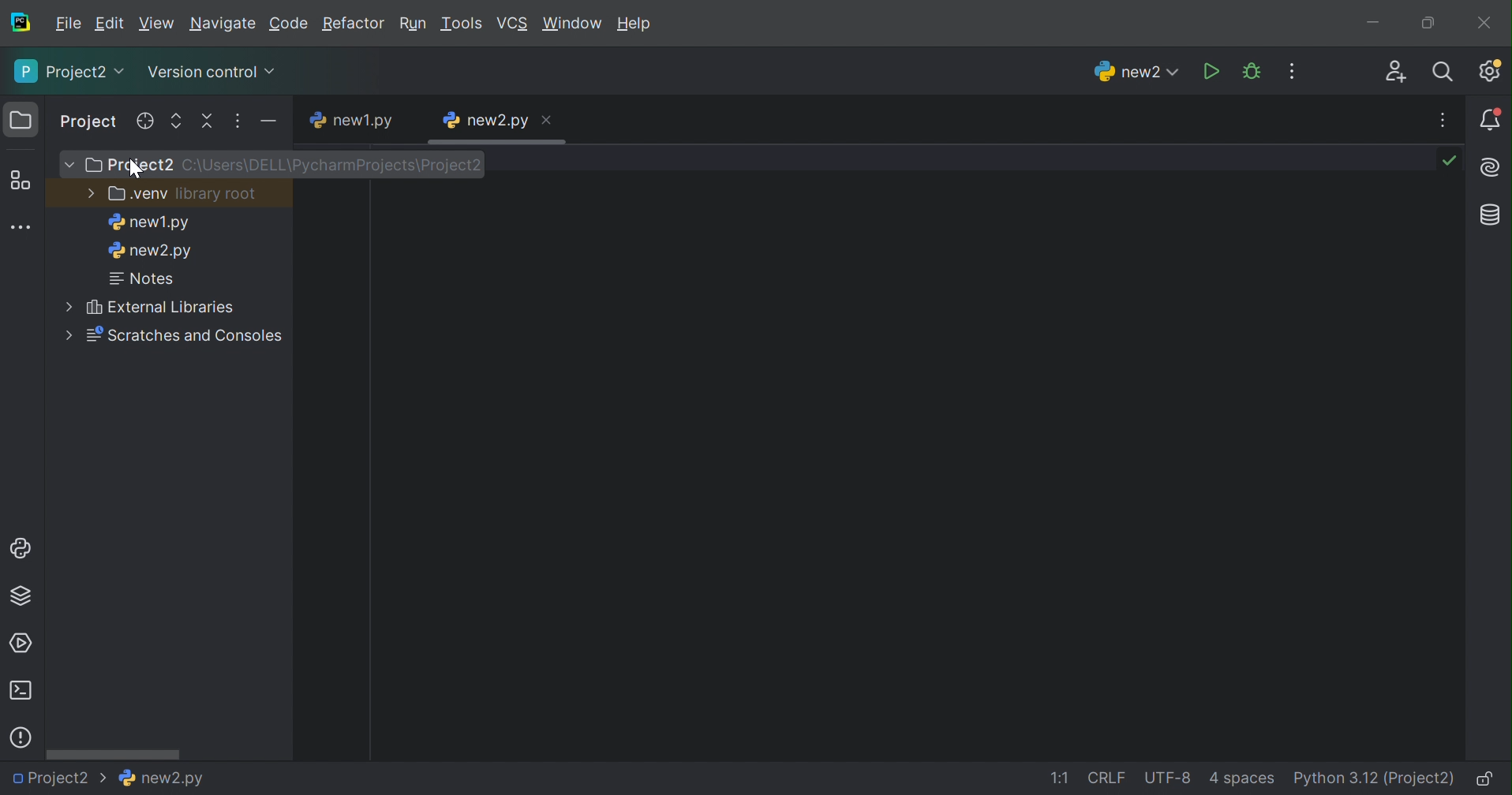 The width and height of the screenshot is (1512, 795). I want to click on Notifications, so click(1491, 120).